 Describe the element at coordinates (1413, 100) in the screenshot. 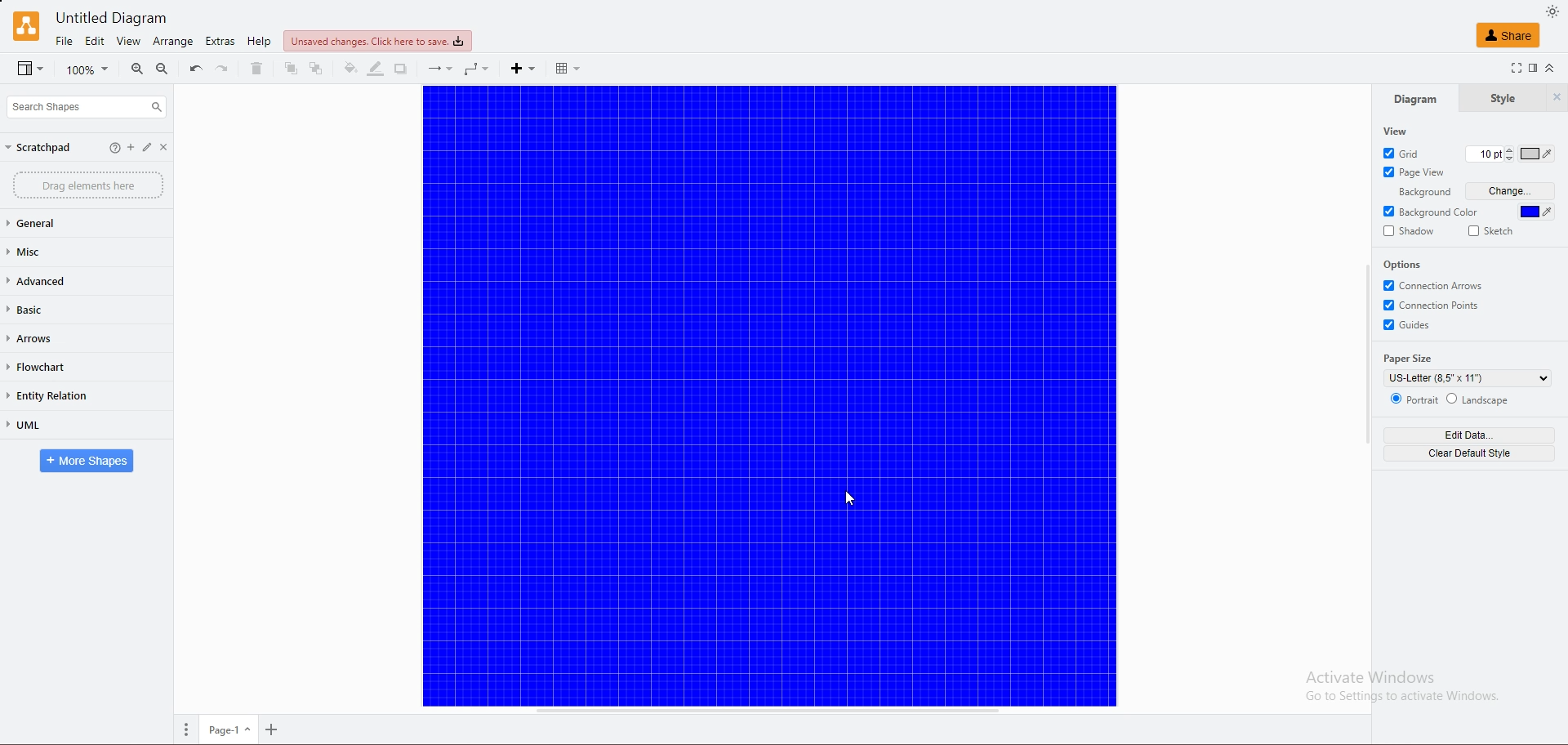

I see `diagram` at that location.